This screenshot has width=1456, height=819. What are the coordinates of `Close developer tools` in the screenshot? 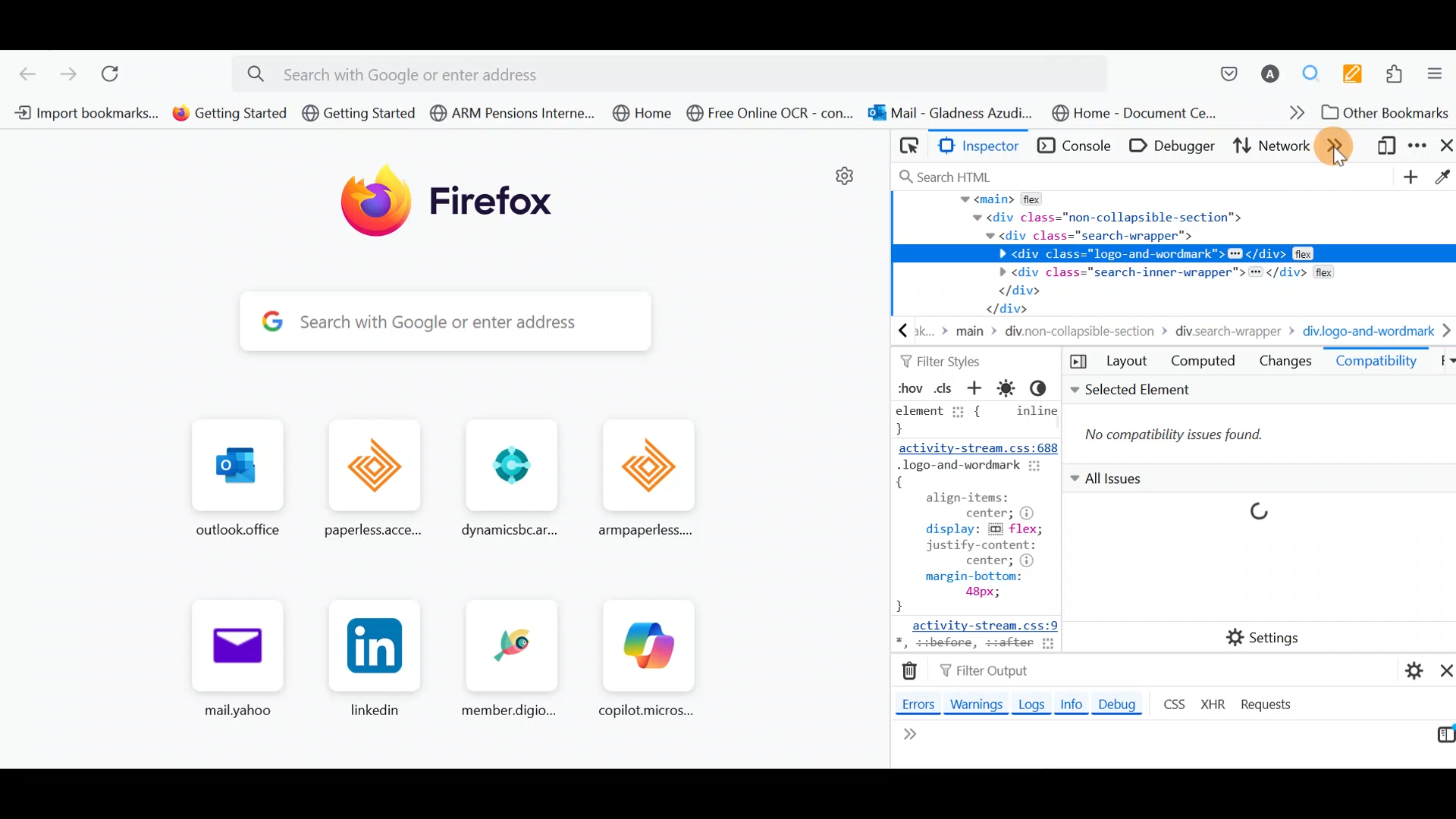 It's located at (1445, 147).